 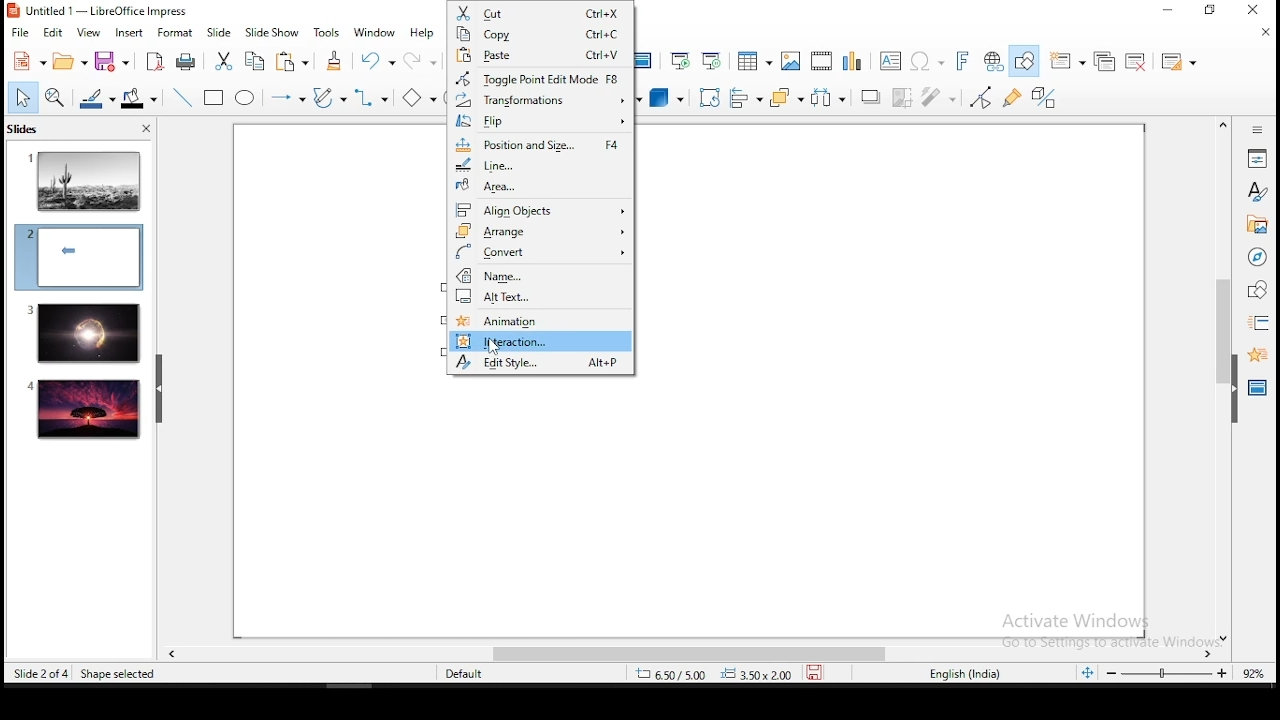 I want to click on resize shape, so click(x=119, y=673).